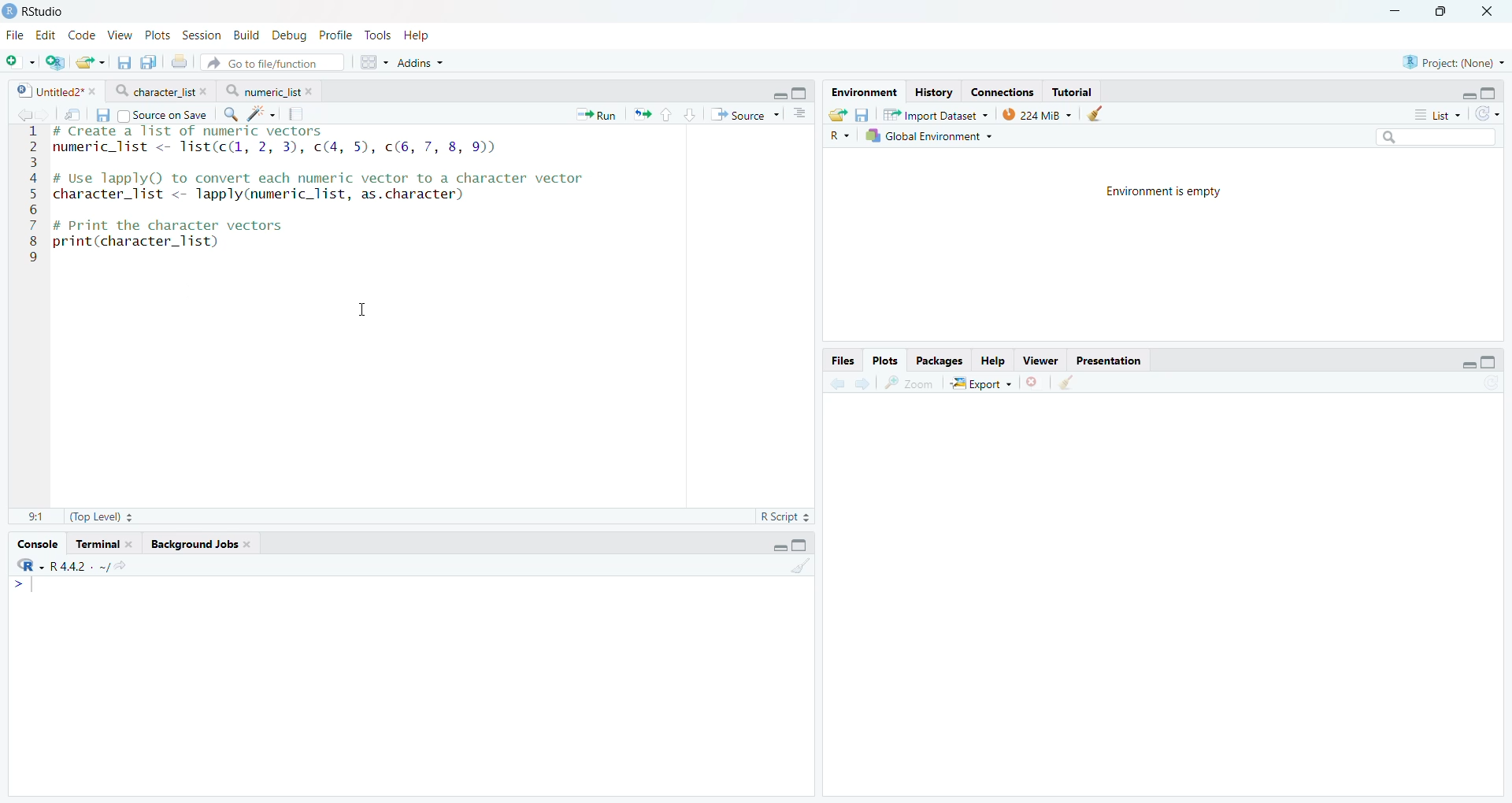 The image size is (1512, 803). What do you see at coordinates (691, 113) in the screenshot?
I see `Go to next section` at bounding box center [691, 113].